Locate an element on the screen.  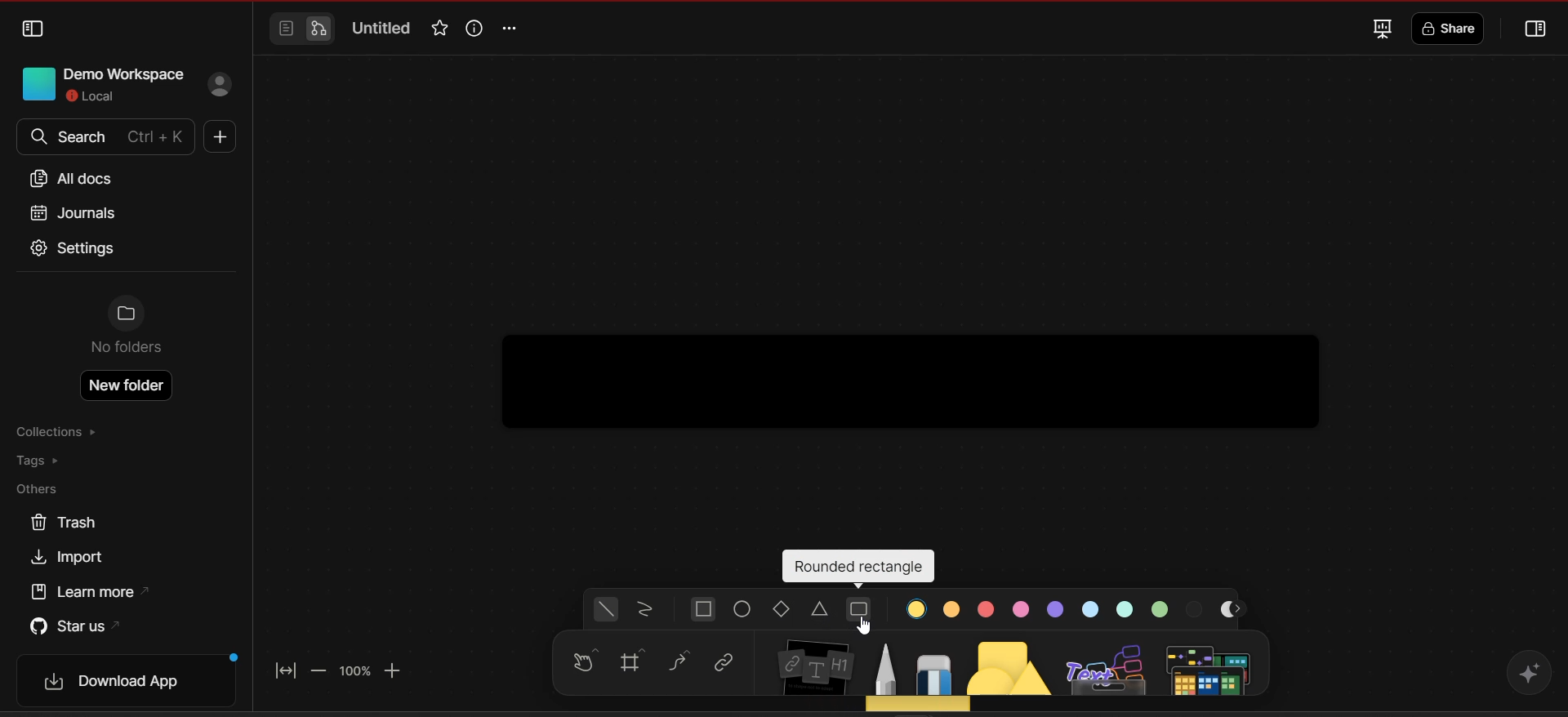
rounded rectangle is located at coordinates (859, 610).